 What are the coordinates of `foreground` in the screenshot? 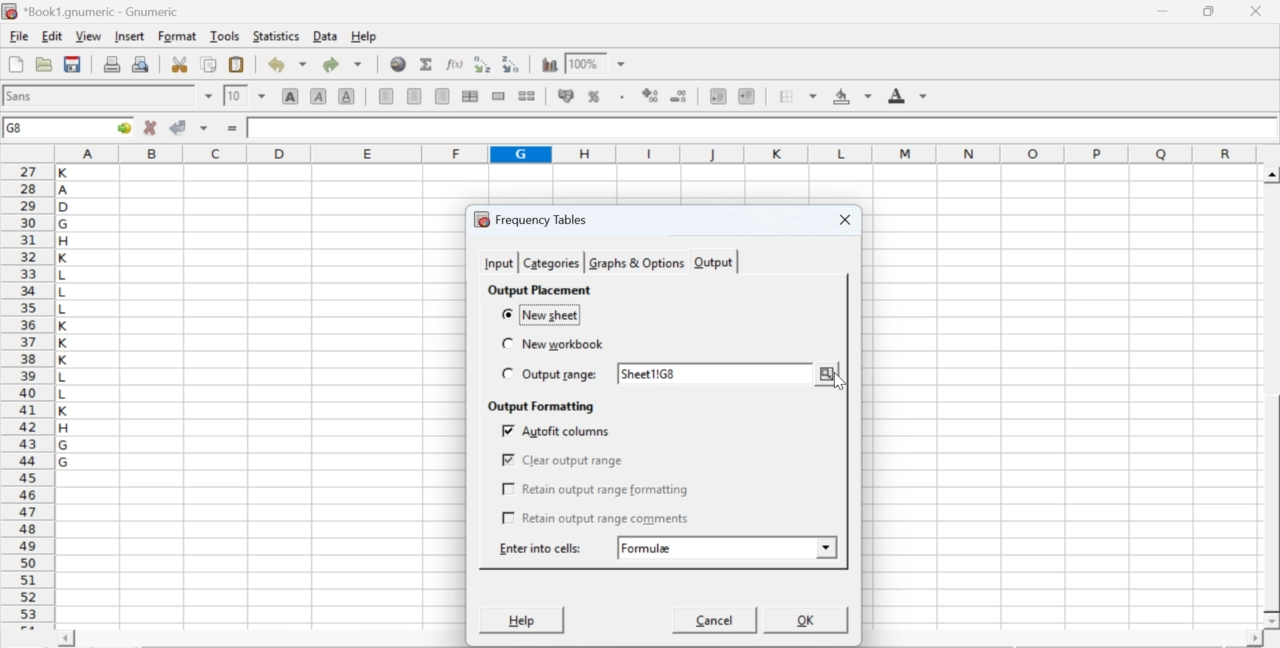 It's located at (908, 95).